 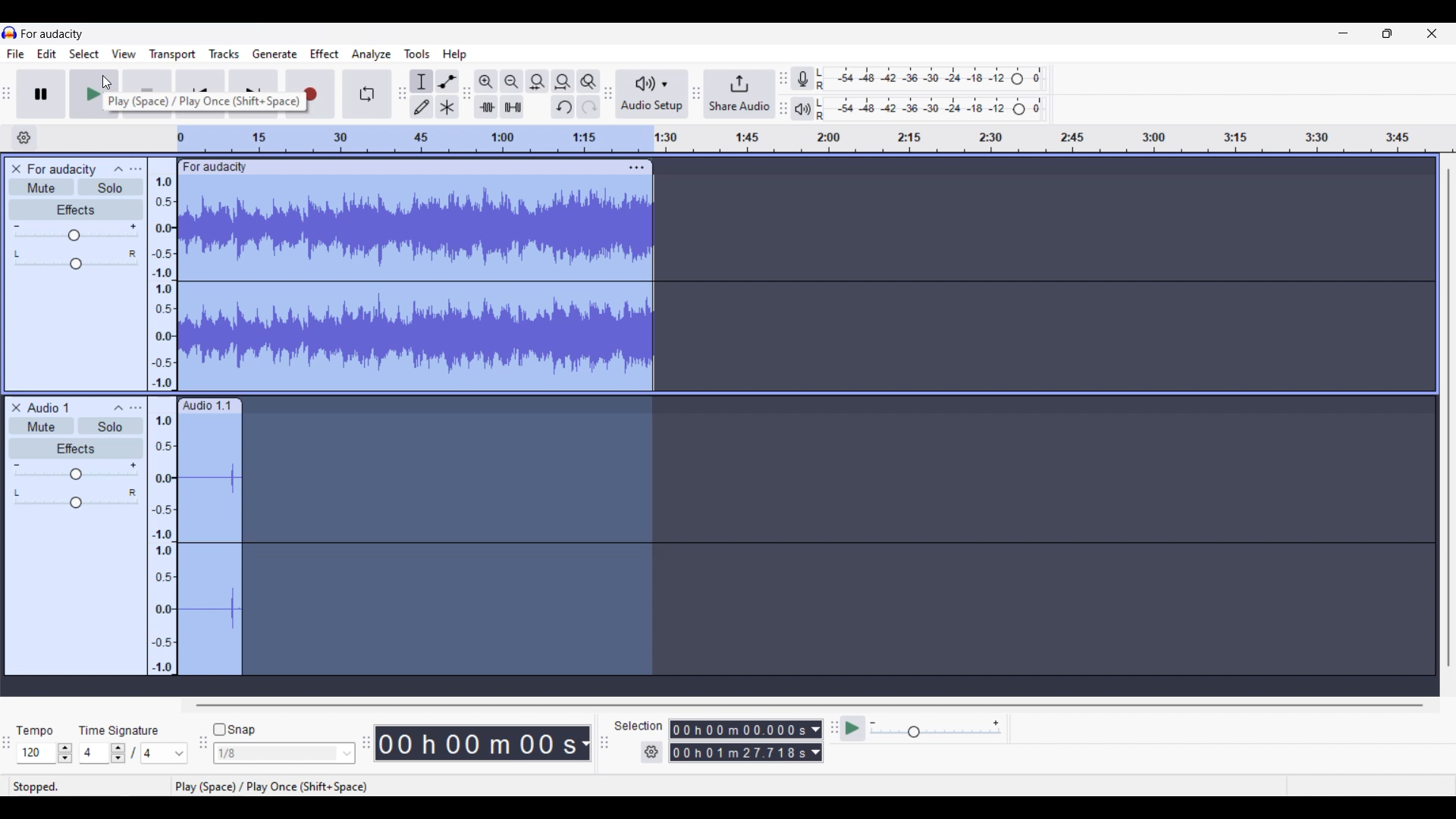 What do you see at coordinates (588, 82) in the screenshot?
I see `Zoom toggle` at bounding box center [588, 82].